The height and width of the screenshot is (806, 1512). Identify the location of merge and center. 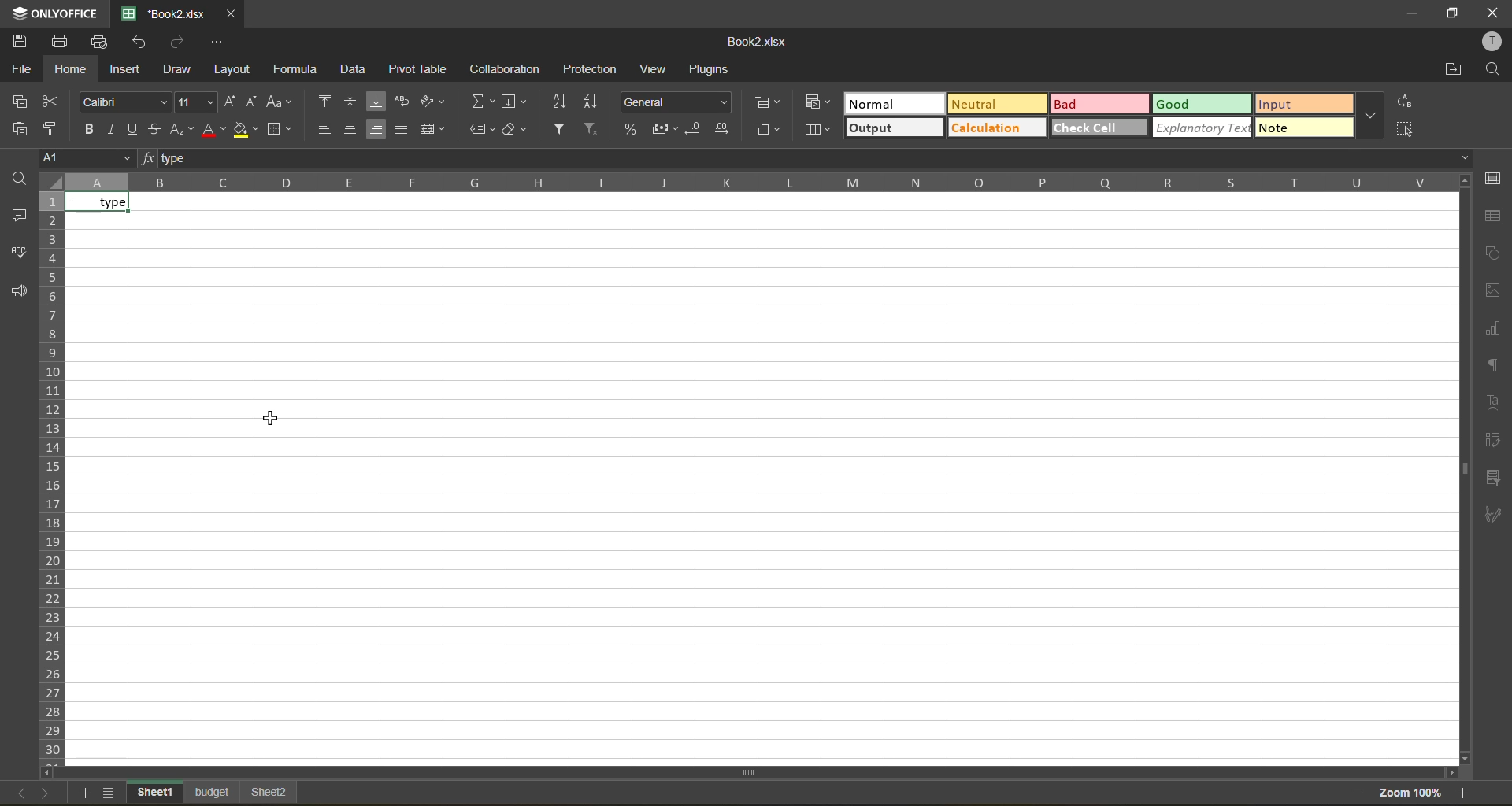
(434, 129).